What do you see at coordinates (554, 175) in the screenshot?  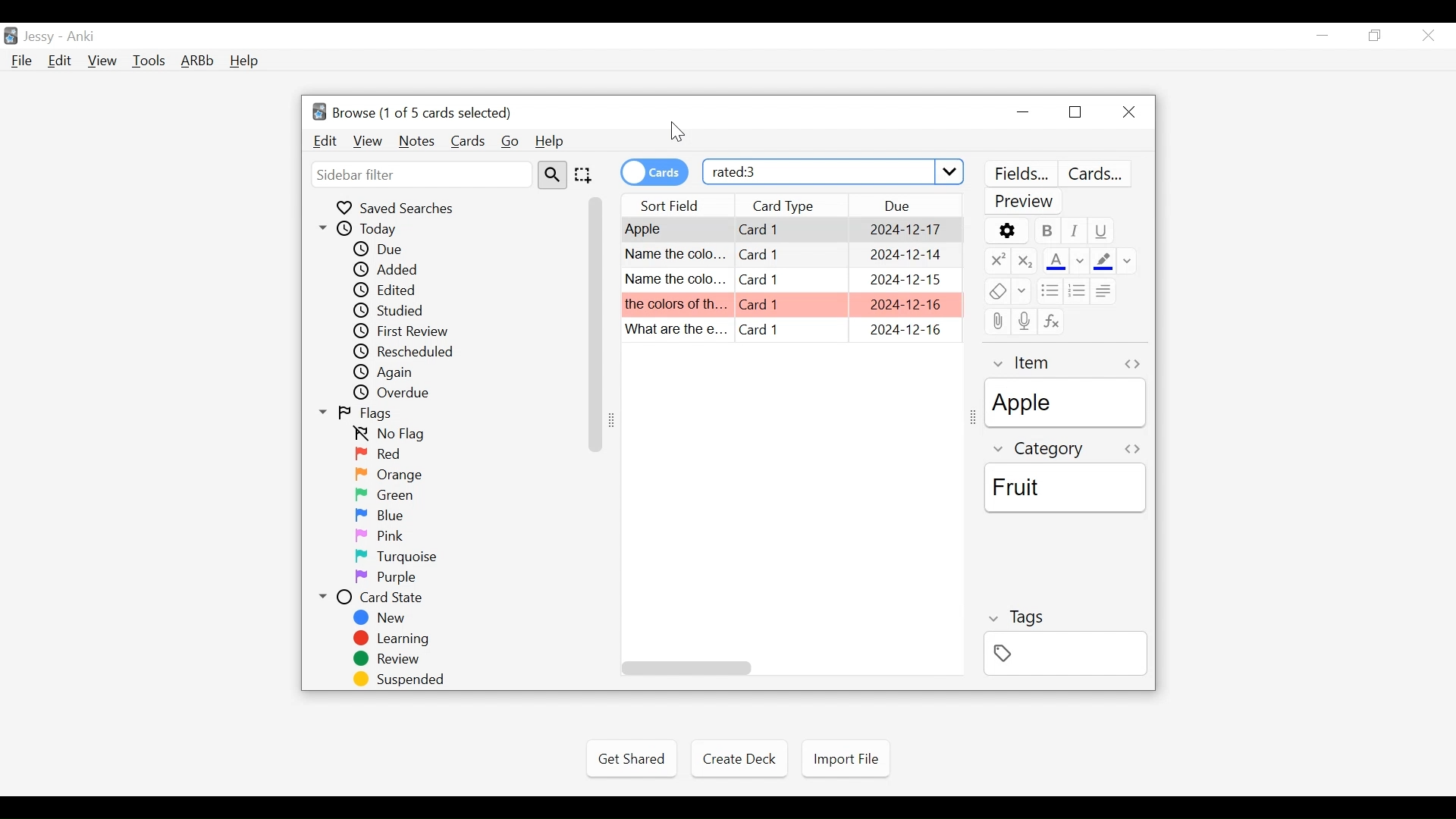 I see `Search Tool` at bounding box center [554, 175].